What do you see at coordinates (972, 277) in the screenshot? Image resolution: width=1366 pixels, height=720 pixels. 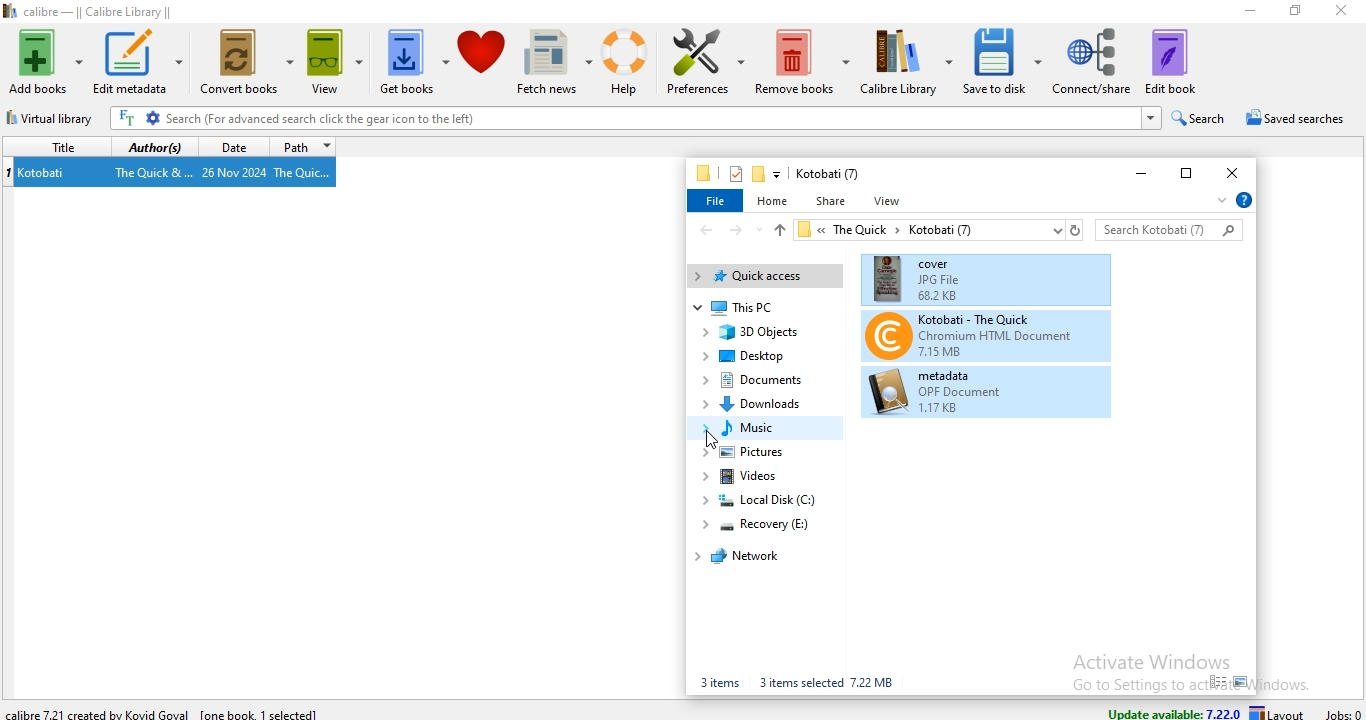 I see `cover(book files)` at bounding box center [972, 277].